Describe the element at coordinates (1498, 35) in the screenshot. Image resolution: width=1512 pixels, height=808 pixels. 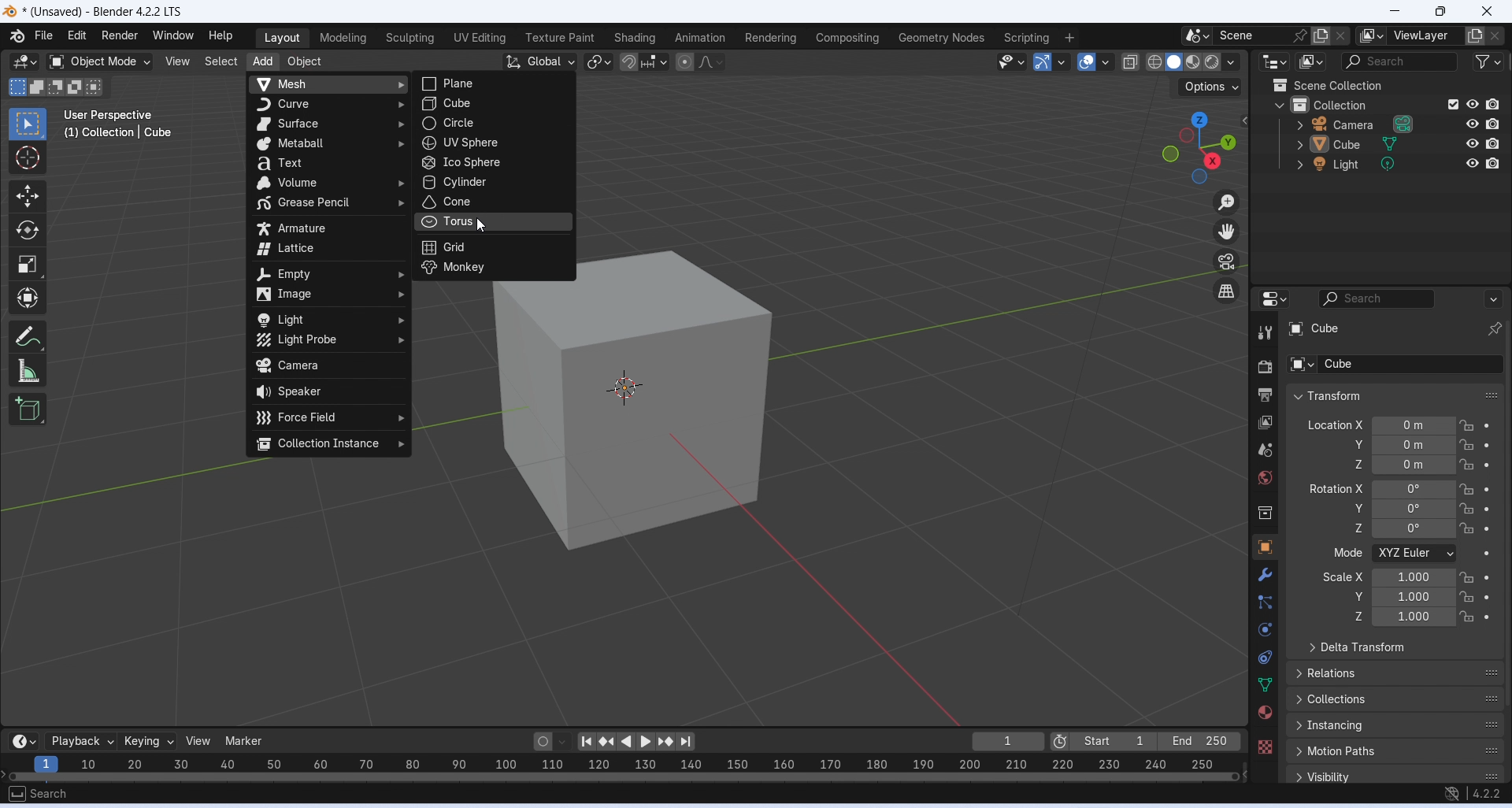
I see `close layer` at that location.